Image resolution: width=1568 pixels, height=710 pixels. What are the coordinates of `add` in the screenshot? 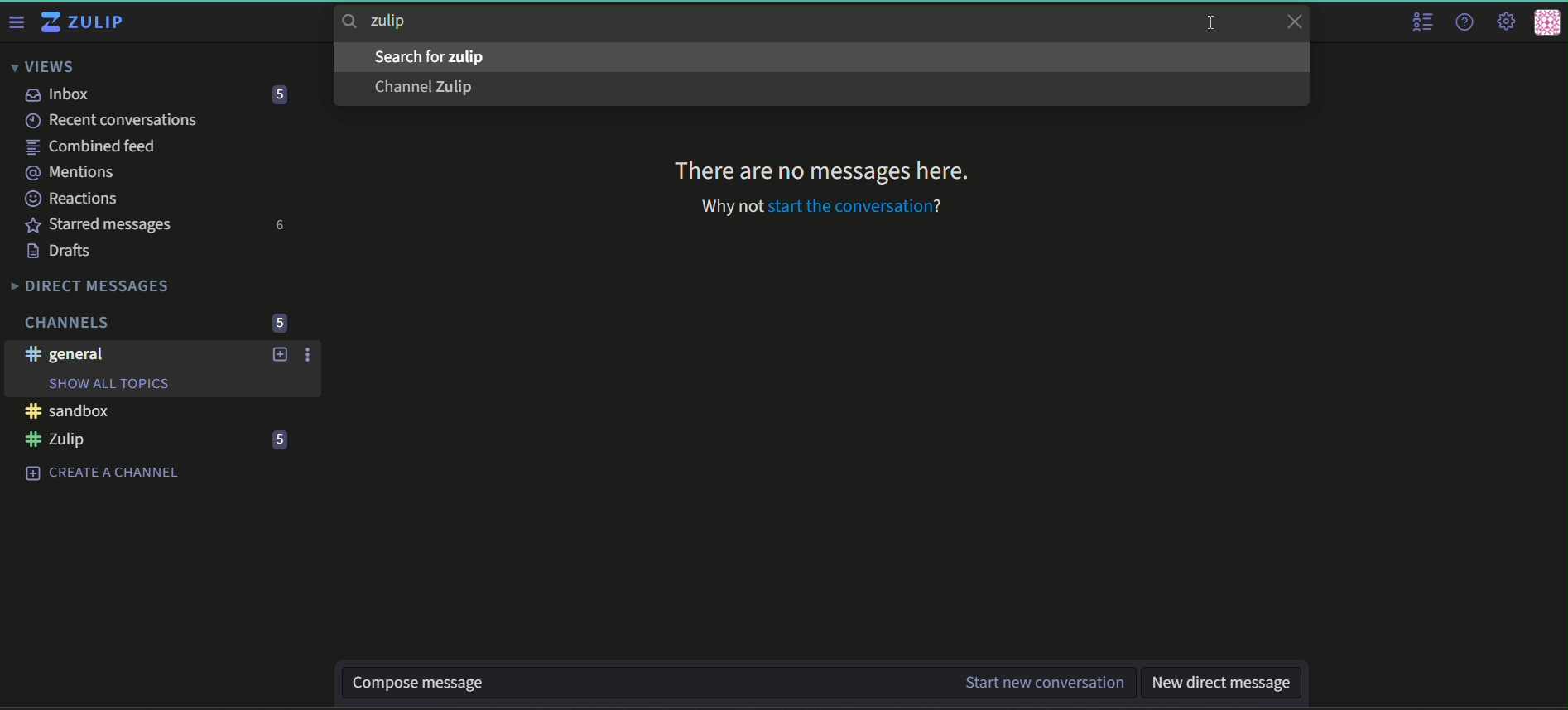 It's located at (281, 355).